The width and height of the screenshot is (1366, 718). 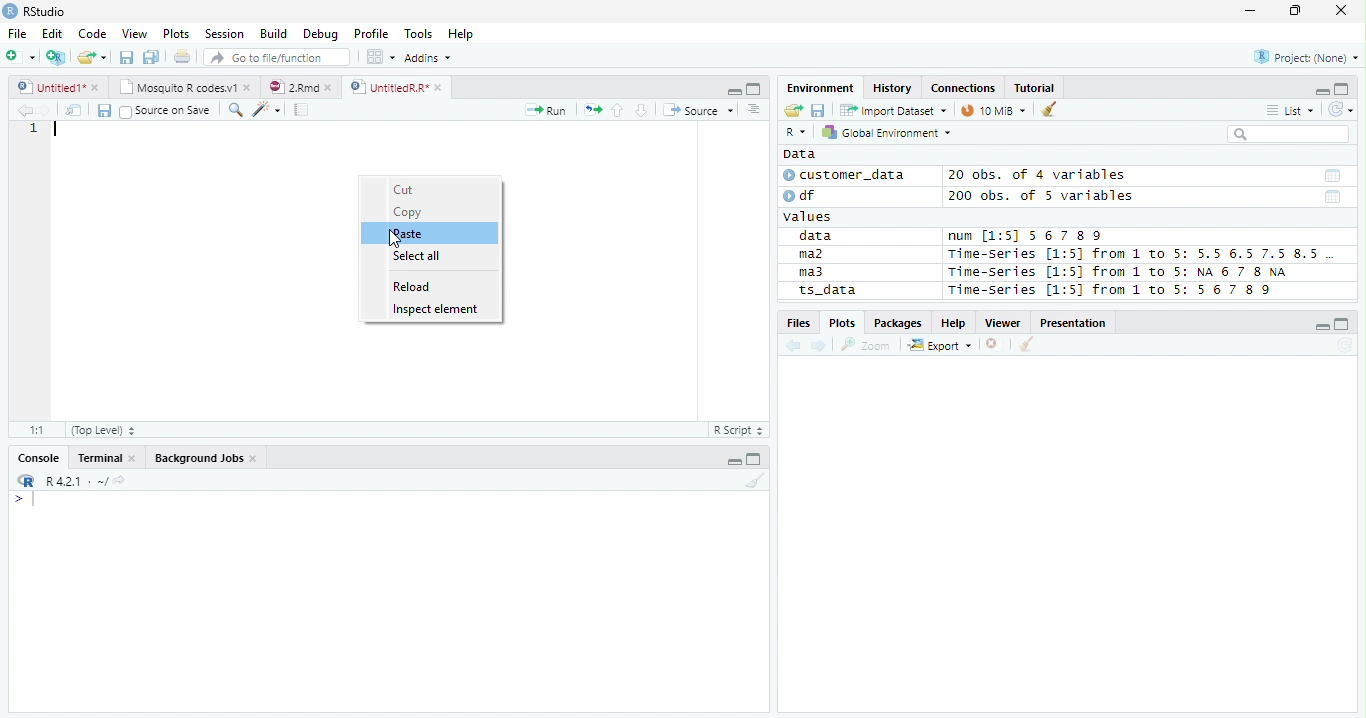 What do you see at coordinates (1298, 11) in the screenshot?
I see `Restore Down` at bounding box center [1298, 11].